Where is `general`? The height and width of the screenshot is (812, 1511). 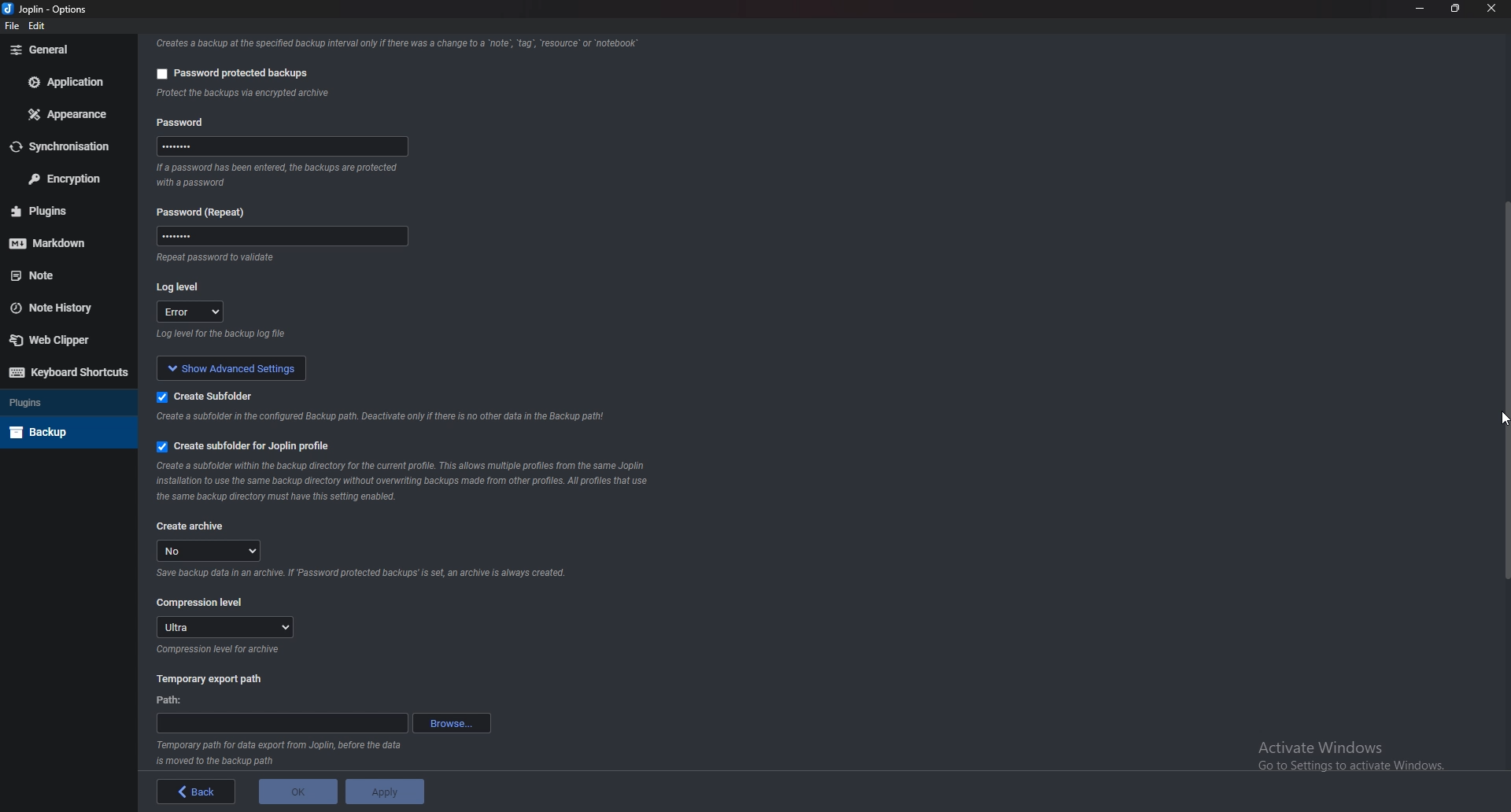 general is located at coordinates (64, 50).